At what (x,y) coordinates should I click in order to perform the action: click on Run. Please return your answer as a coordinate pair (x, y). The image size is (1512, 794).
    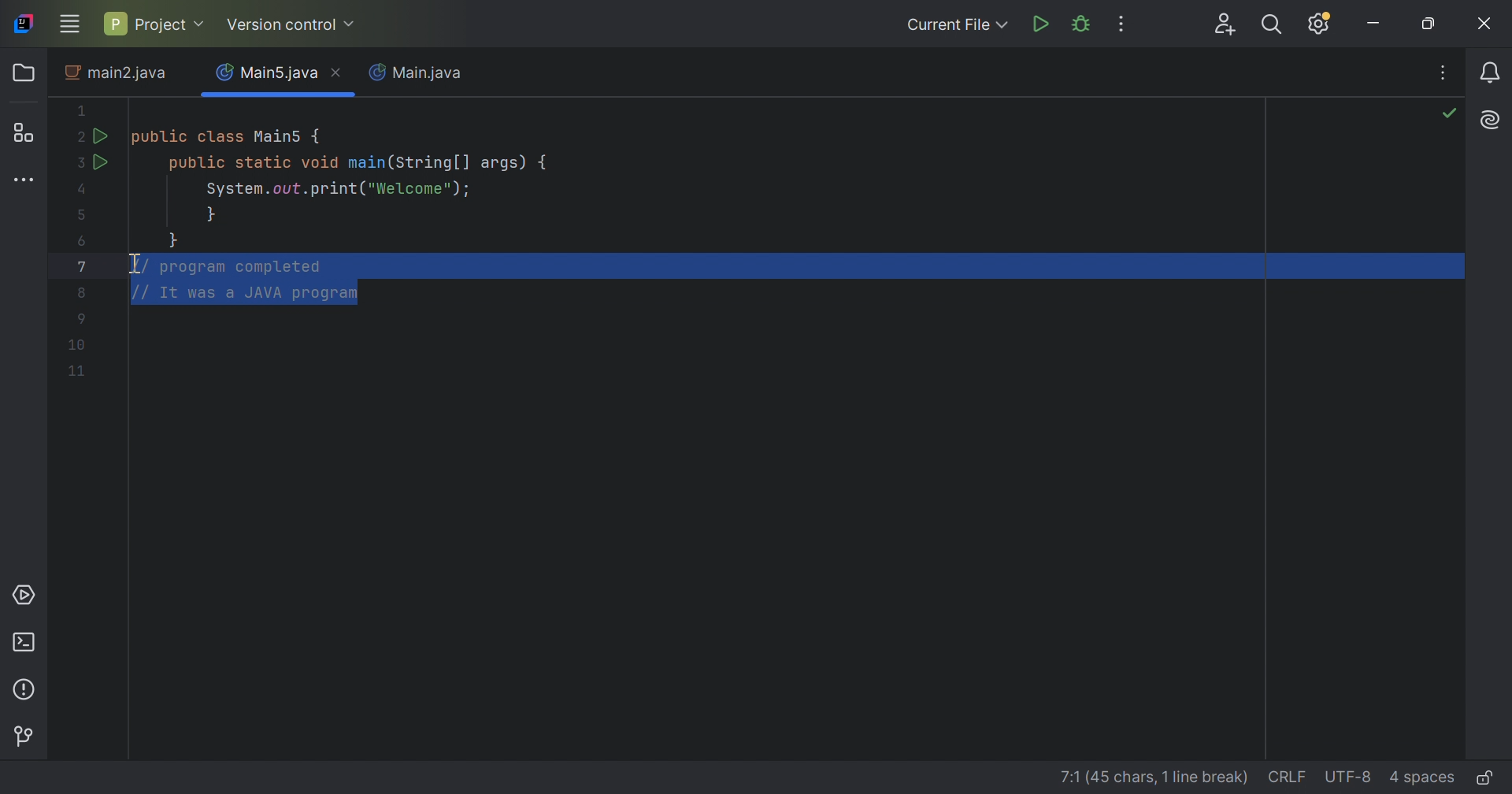
    Looking at the image, I should click on (1043, 24).